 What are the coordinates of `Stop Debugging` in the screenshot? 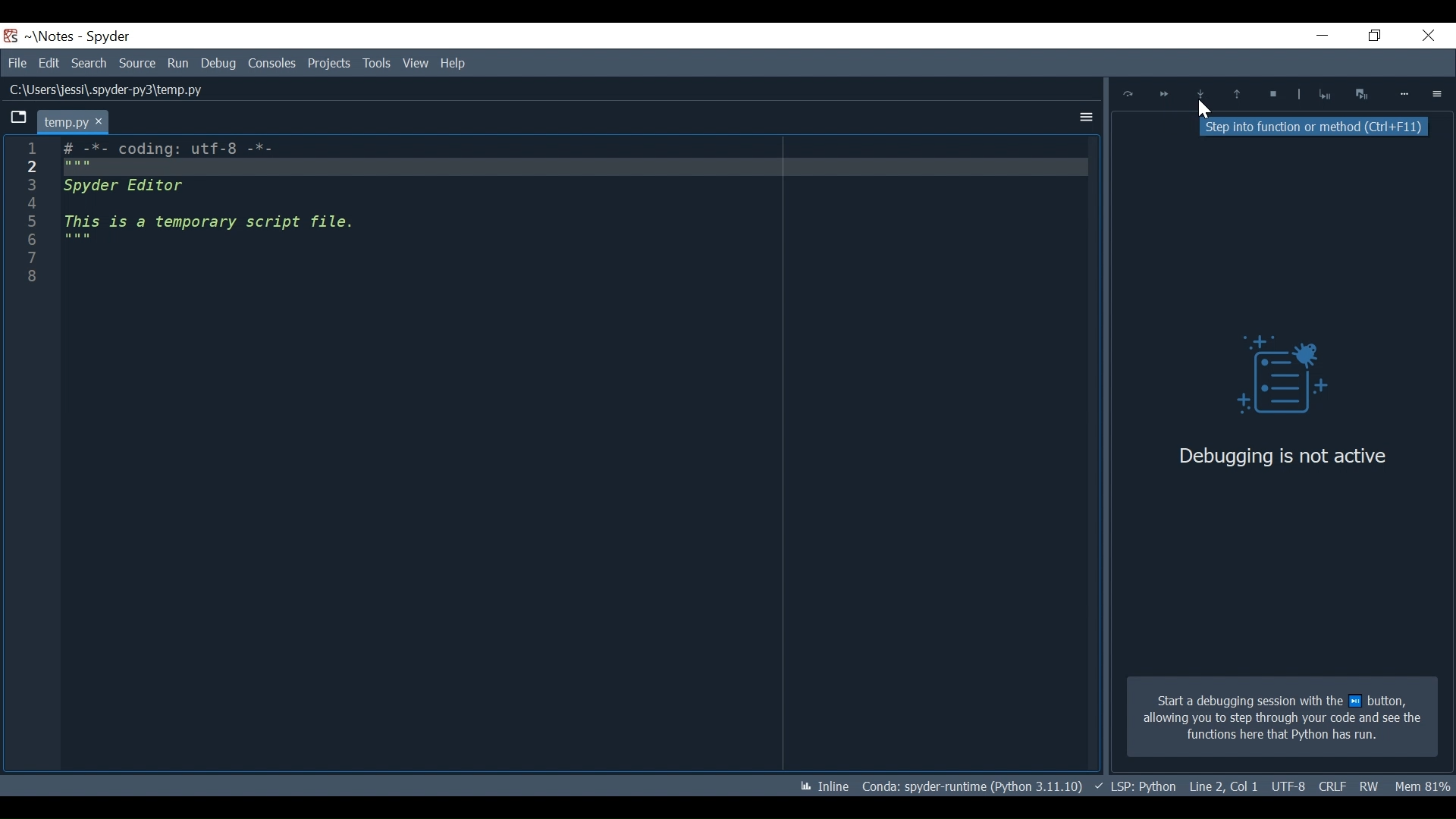 It's located at (1270, 96).